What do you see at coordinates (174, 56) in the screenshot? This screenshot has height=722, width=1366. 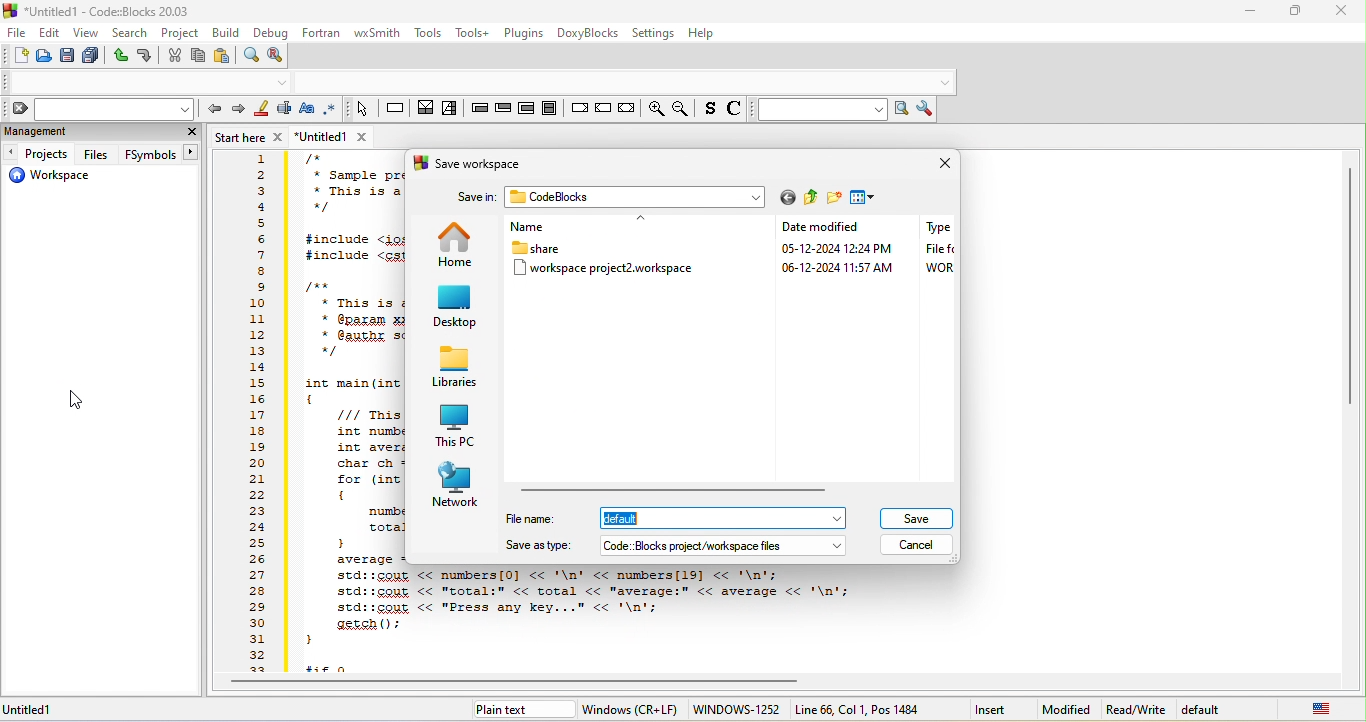 I see `cut` at bounding box center [174, 56].